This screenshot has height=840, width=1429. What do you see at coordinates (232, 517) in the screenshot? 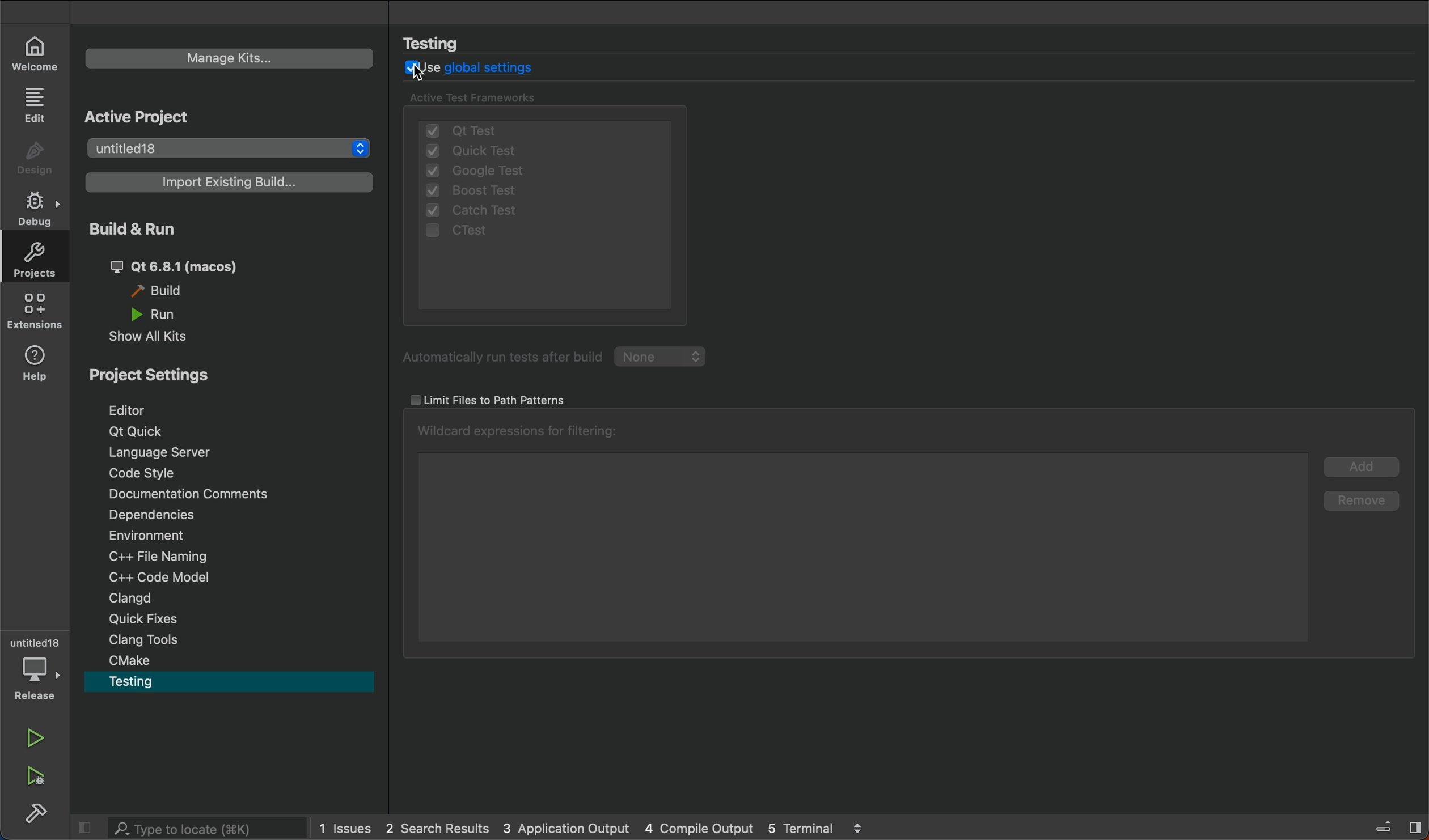
I see `dependencies` at bounding box center [232, 517].